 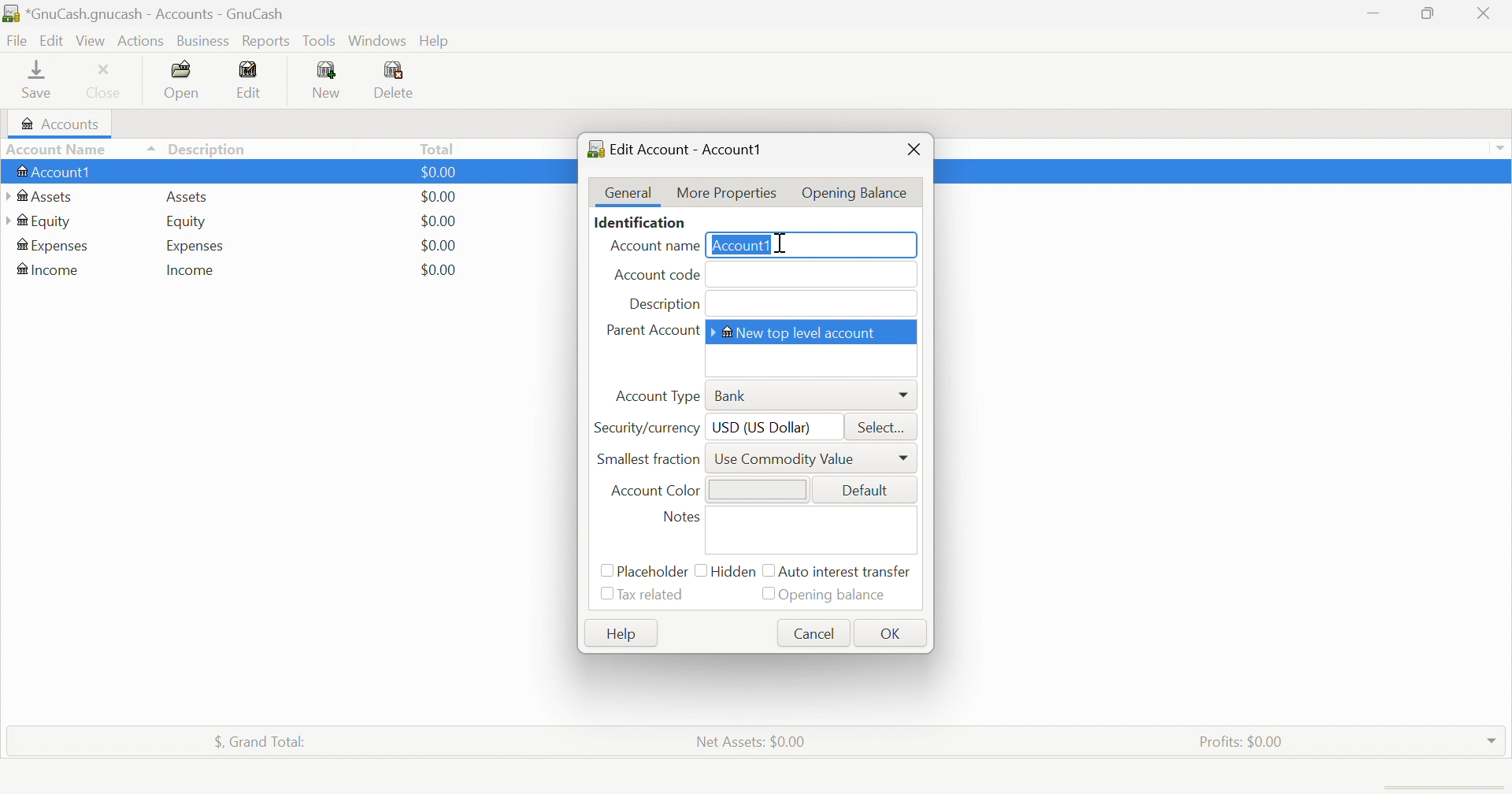 What do you see at coordinates (639, 224) in the screenshot?
I see `Identification` at bounding box center [639, 224].